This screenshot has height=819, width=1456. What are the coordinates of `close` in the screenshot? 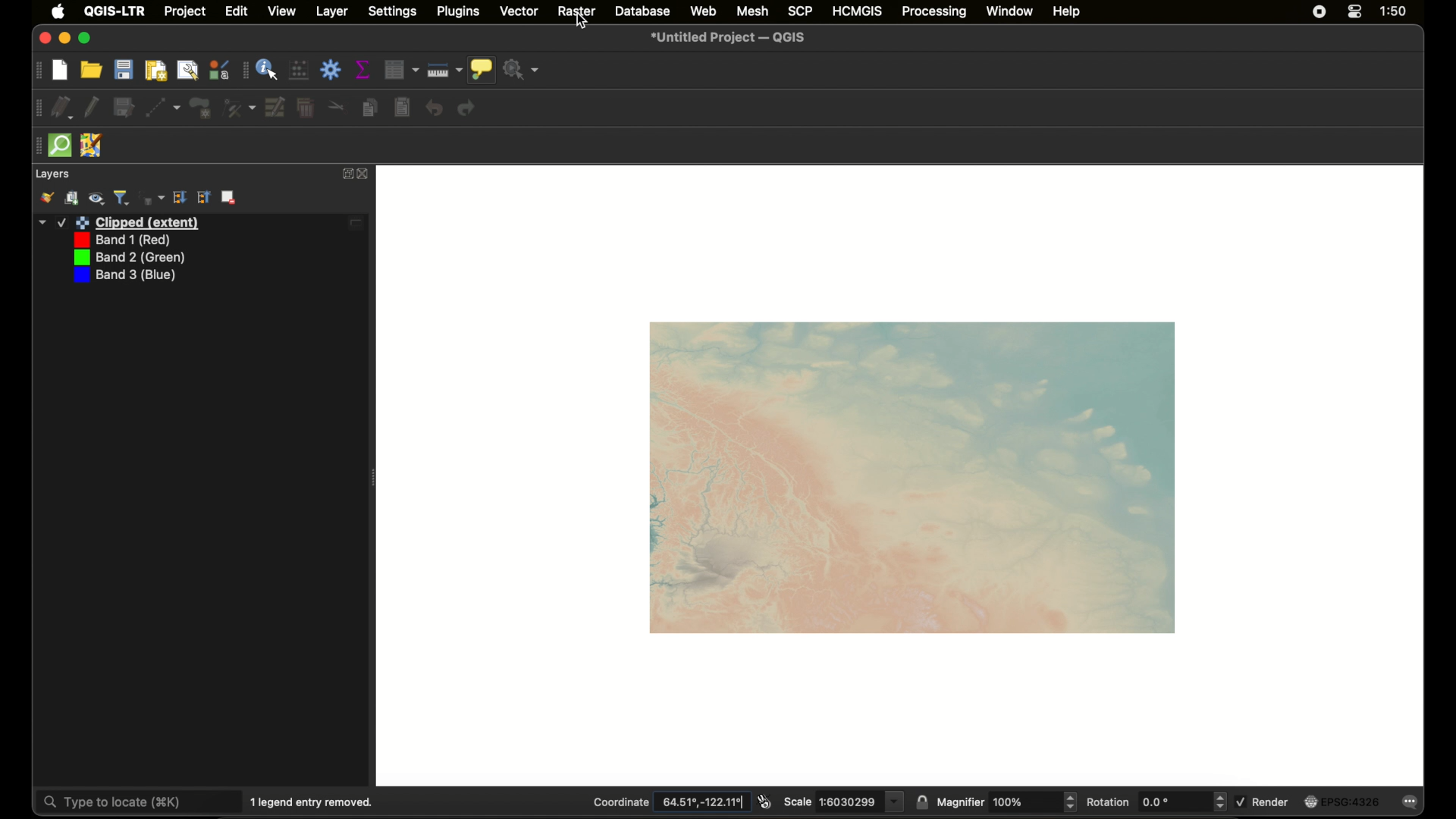 It's located at (366, 174).